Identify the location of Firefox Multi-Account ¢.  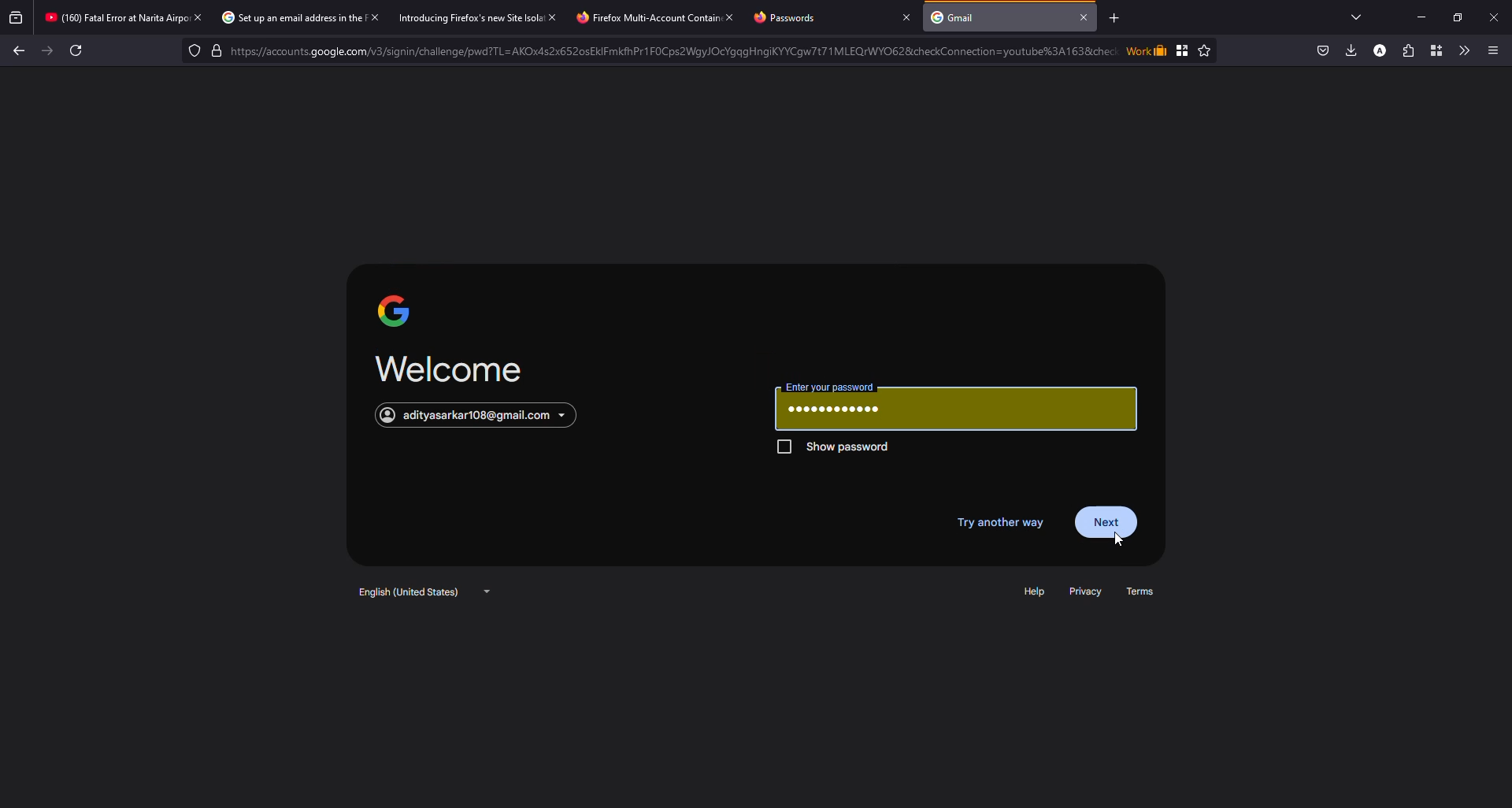
(632, 19).